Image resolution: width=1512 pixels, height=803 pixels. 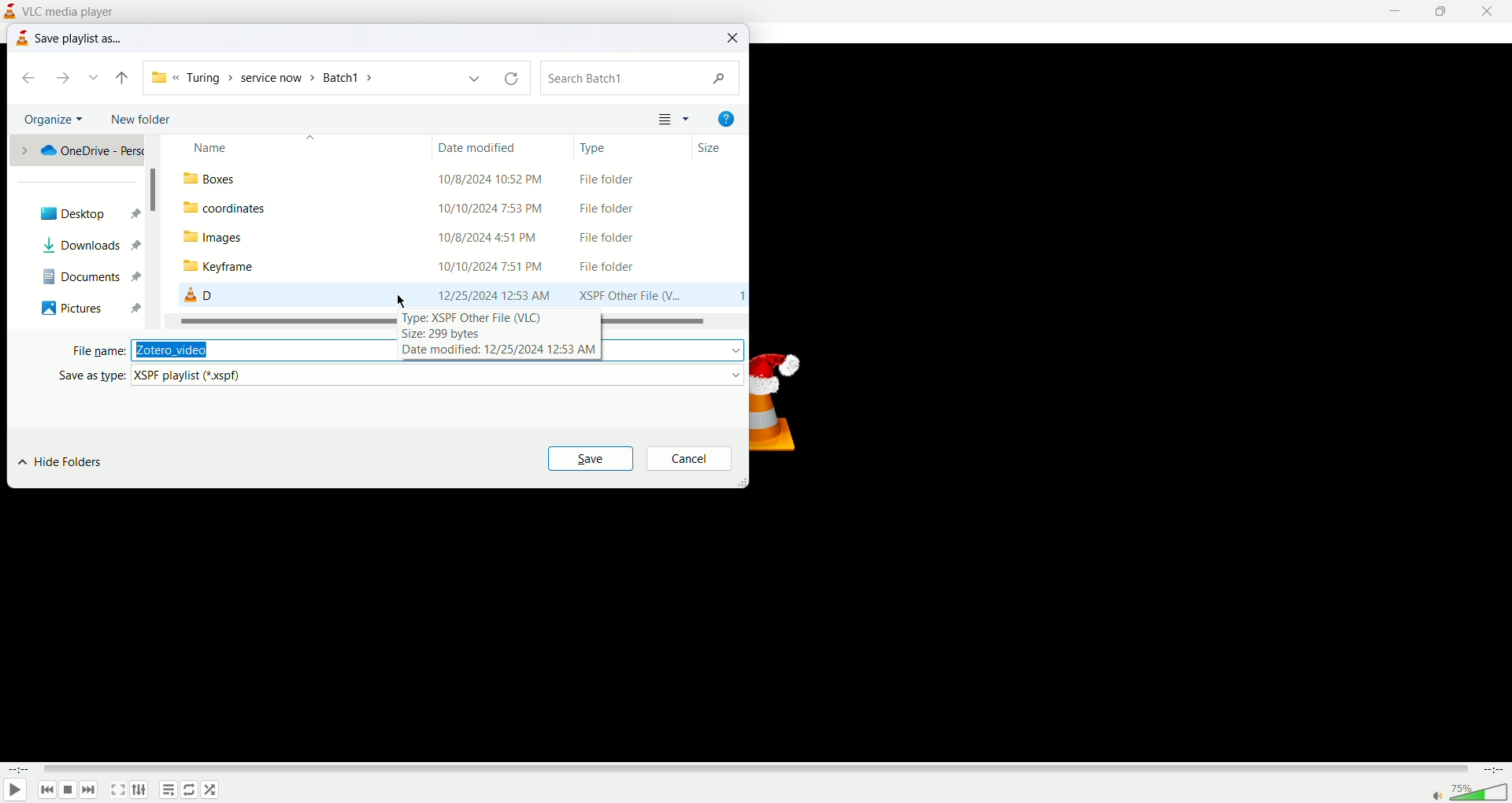 What do you see at coordinates (1492, 771) in the screenshot?
I see `remaining time` at bounding box center [1492, 771].